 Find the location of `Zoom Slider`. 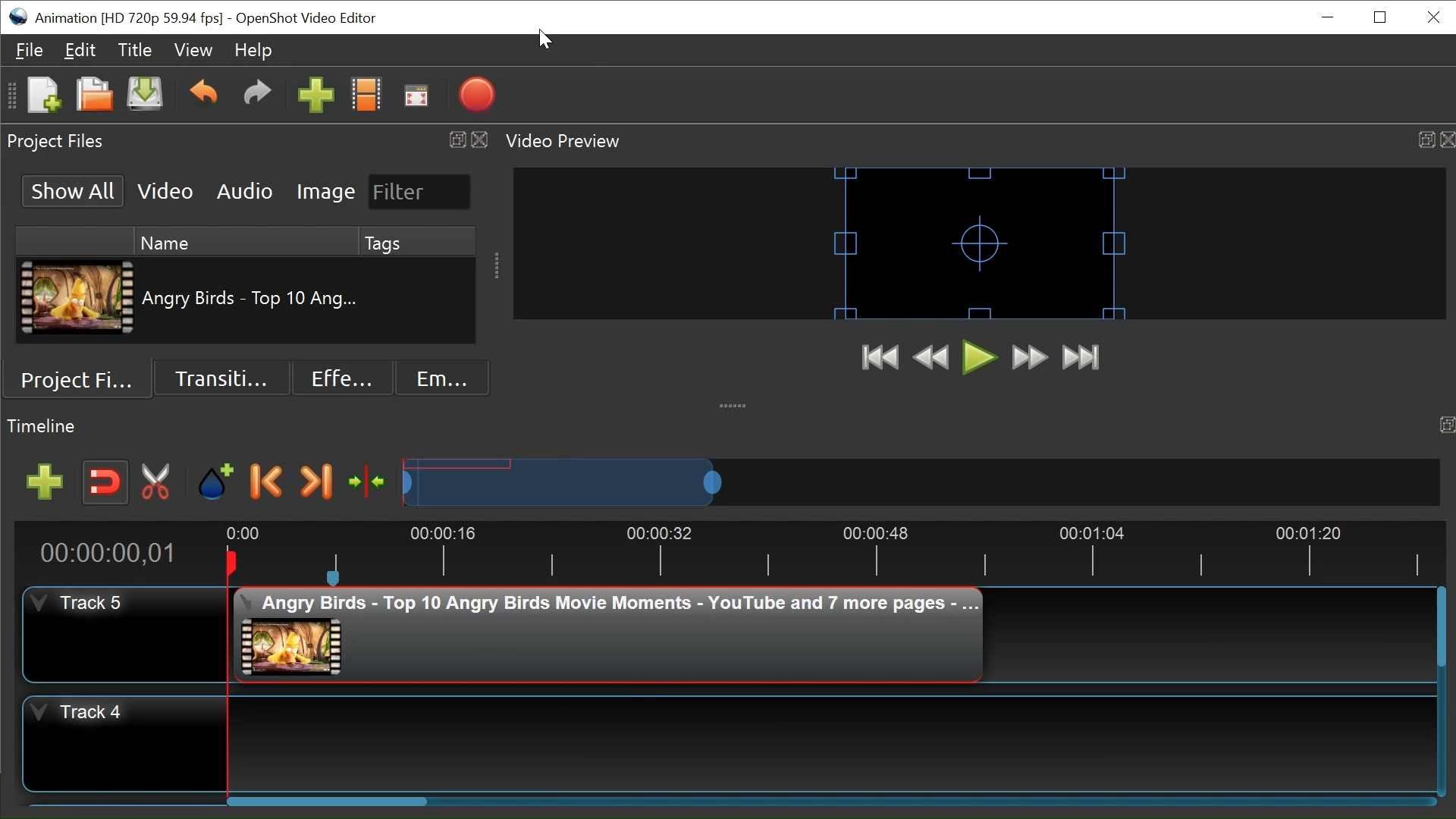

Zoom Slider is located at coordinates (922, 483).